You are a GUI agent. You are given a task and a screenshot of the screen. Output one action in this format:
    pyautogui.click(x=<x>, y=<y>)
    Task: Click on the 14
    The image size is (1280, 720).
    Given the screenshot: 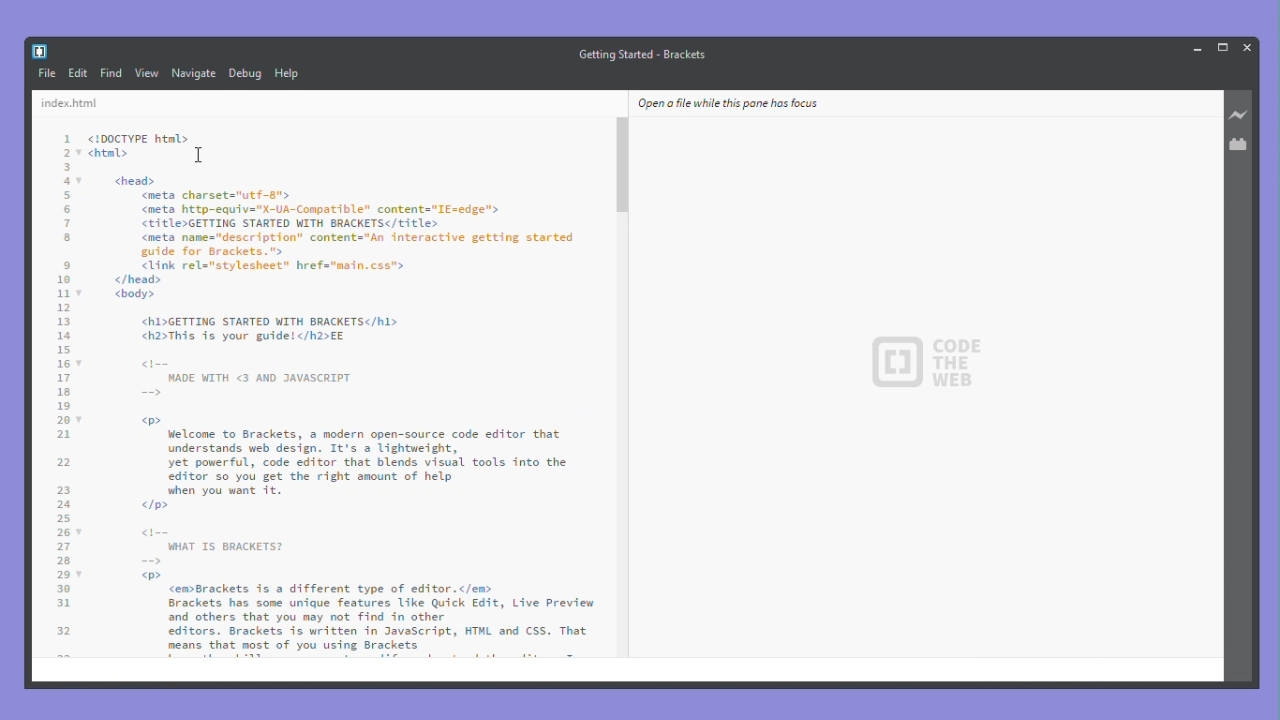 What is the action you would take?
    pyautogui.click(x=63, y=336)
    